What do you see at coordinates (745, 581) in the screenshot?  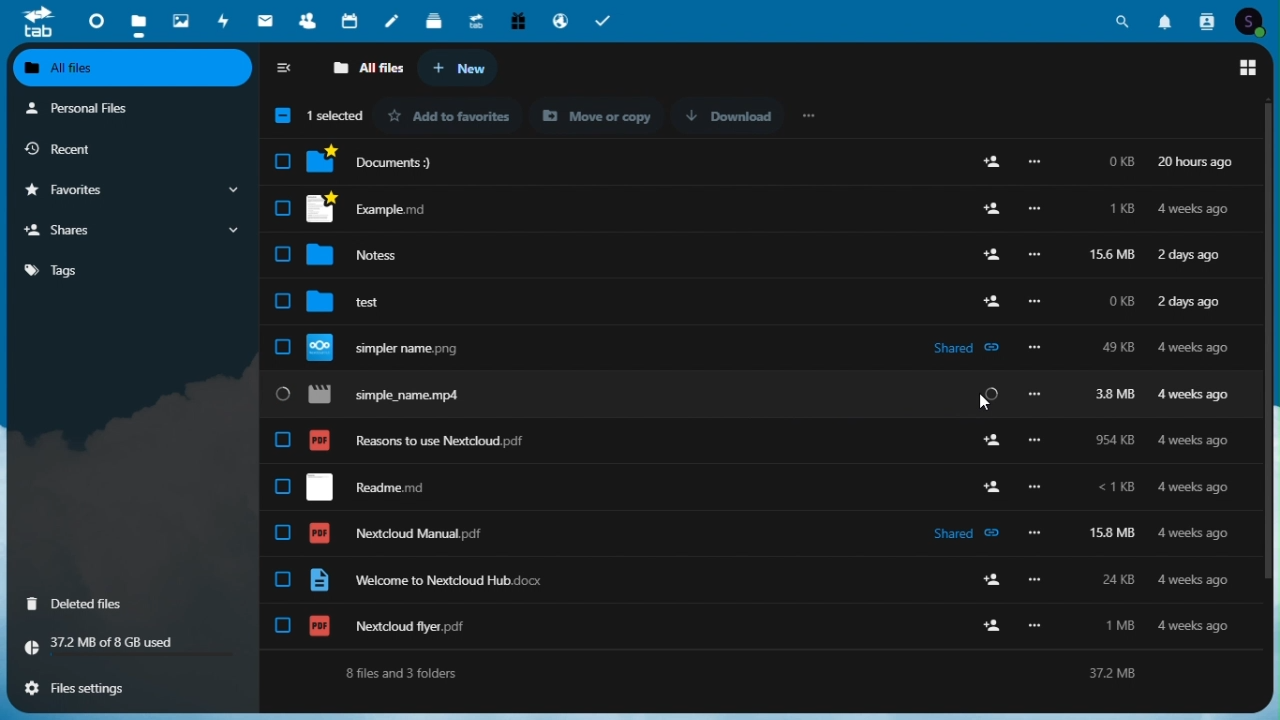 I see `Welcome to notebook hub` at bounding box center [745, 581].